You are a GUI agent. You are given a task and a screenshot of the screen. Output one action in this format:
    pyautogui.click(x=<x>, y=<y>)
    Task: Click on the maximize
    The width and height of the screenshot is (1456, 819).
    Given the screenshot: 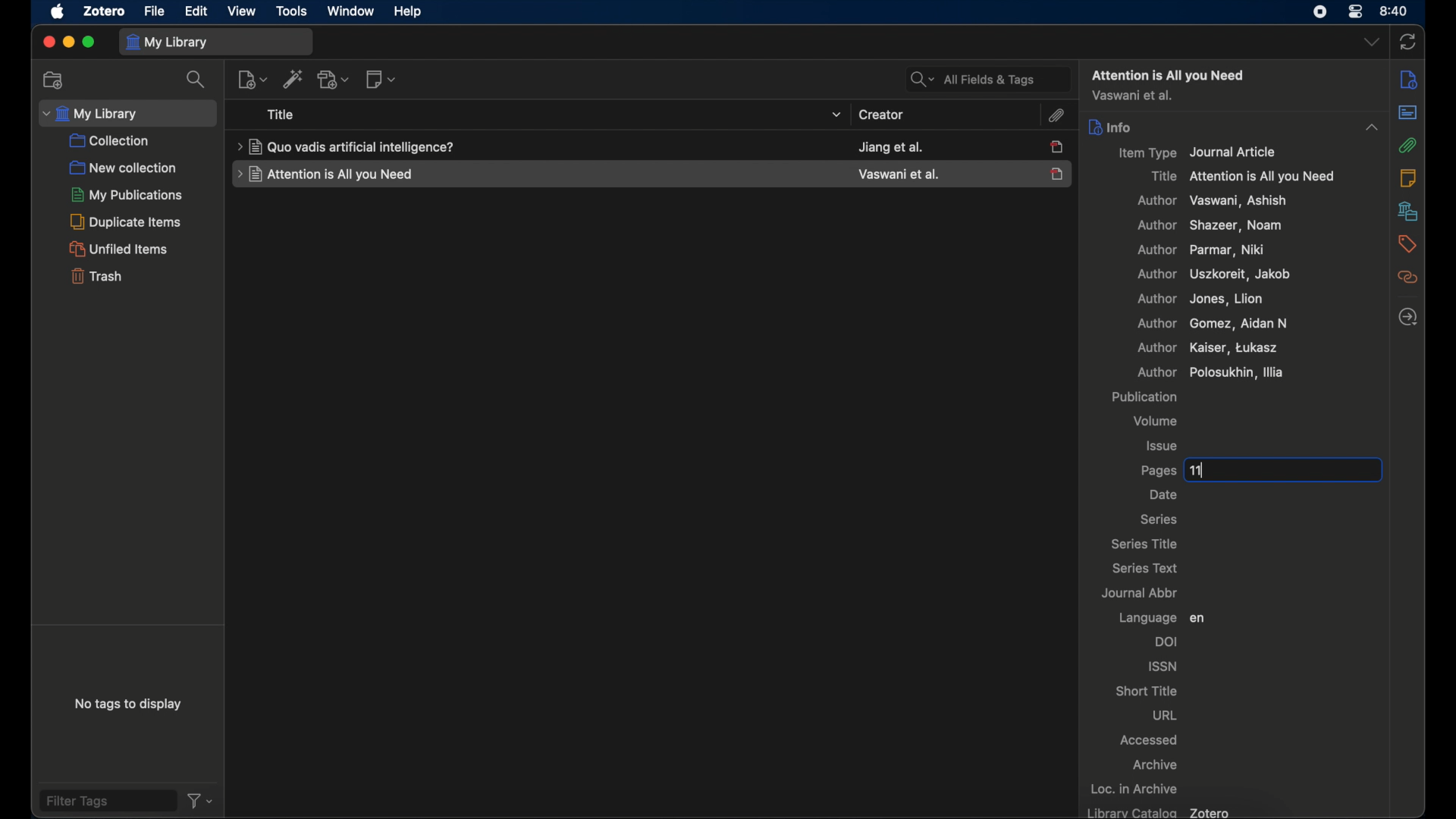 What is the action you would take?
    pyautogui.click(x=89, y=43)
    